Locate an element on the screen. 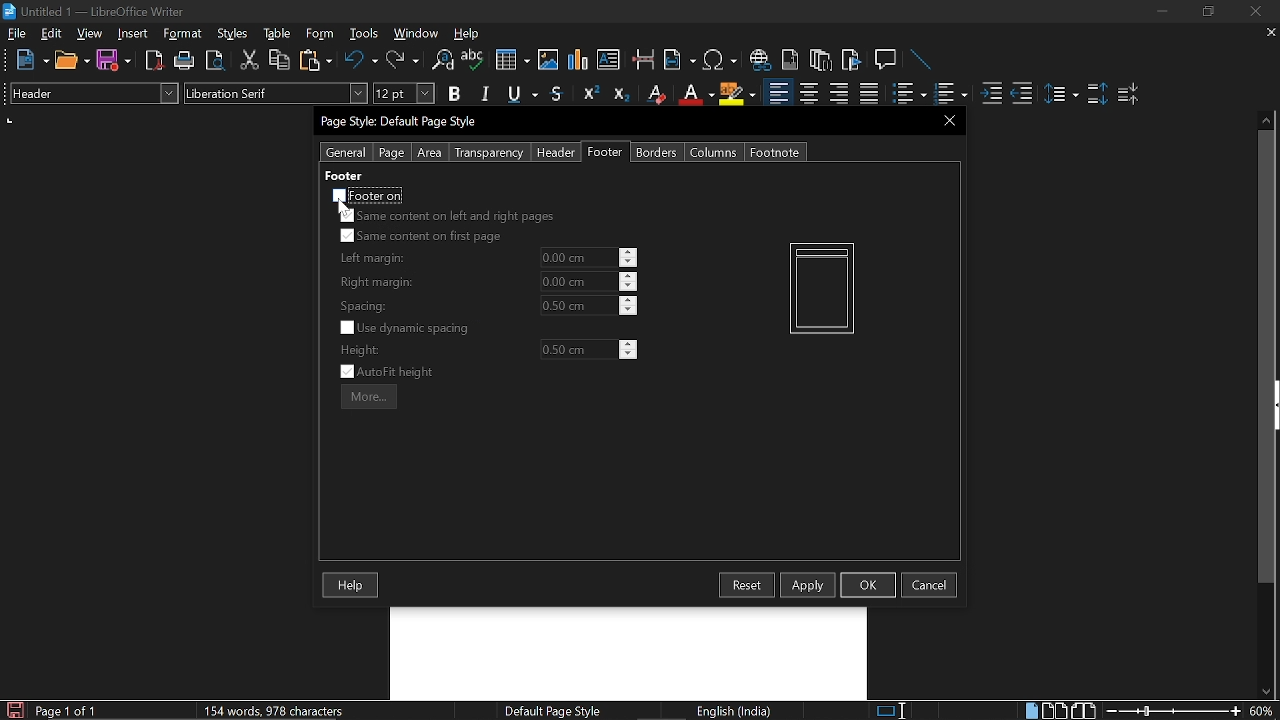 Image resolution: width=1280 pixels, height=720 pixels. page Page is located at coordinates (391, 153).